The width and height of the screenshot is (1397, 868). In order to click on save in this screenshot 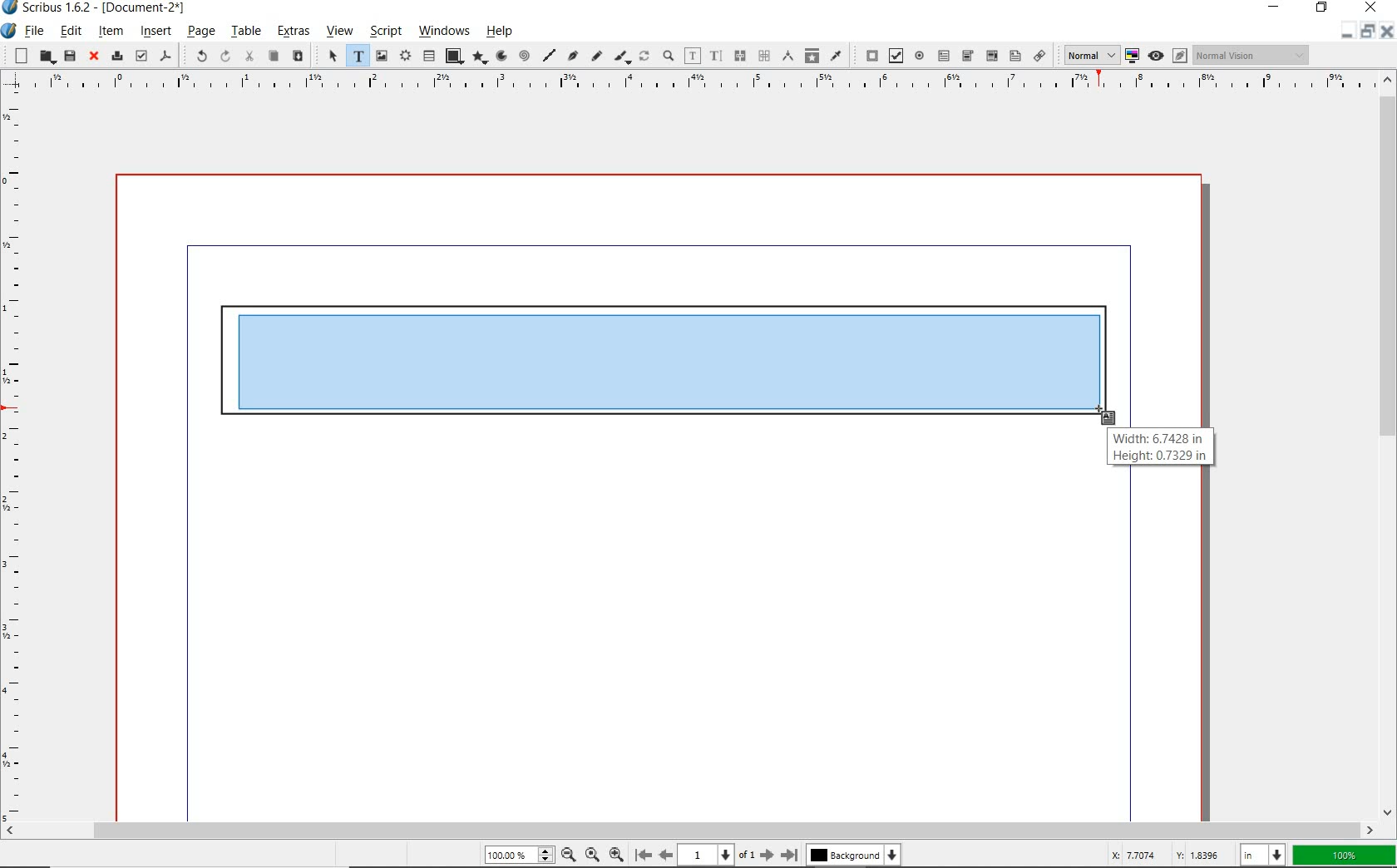, I will do `click(70, 56)`.